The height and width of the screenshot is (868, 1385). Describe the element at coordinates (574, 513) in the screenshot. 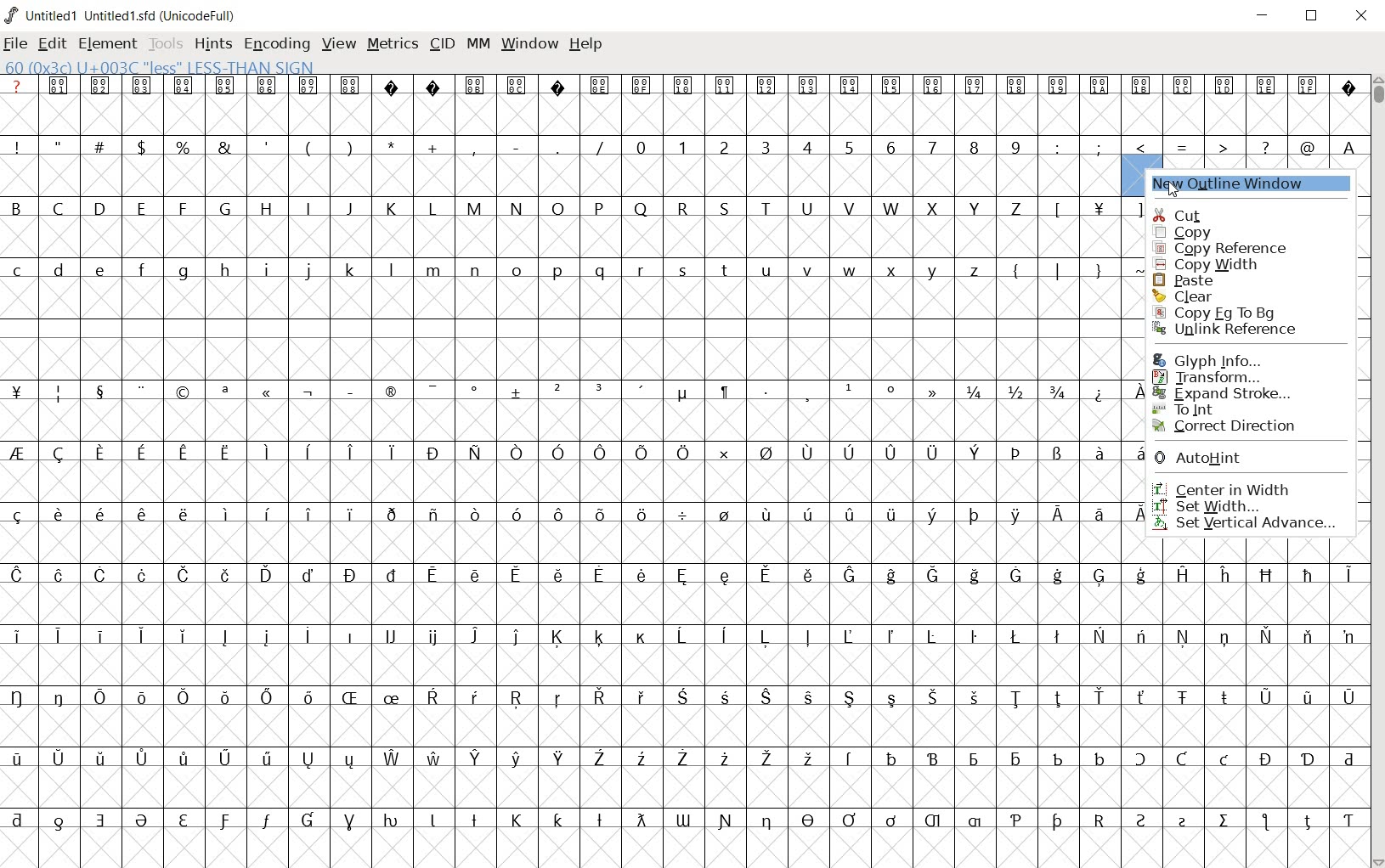

I see `special letters` at that location.